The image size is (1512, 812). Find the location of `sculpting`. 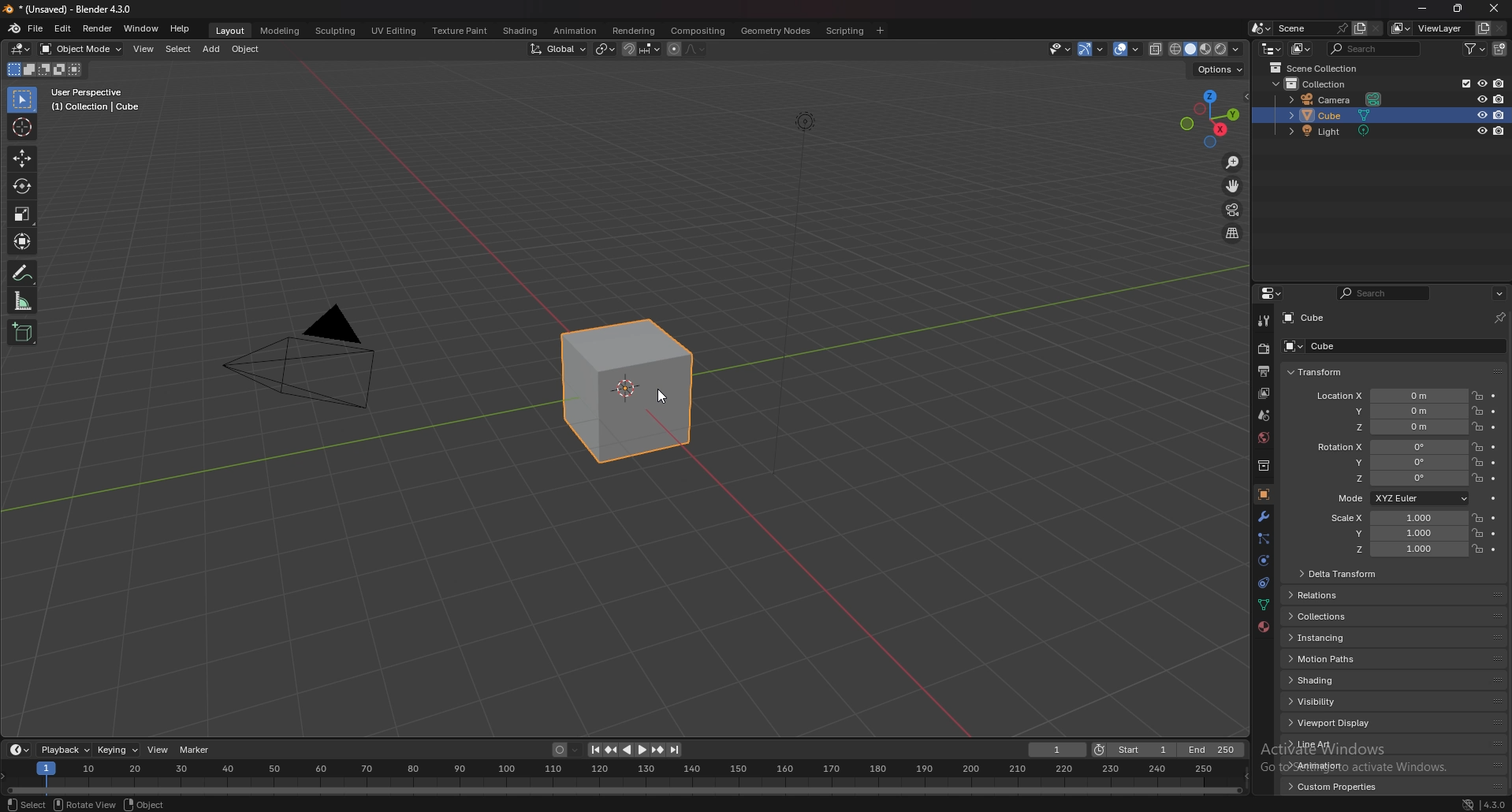

sculpting is located at coordinates (336, 31).